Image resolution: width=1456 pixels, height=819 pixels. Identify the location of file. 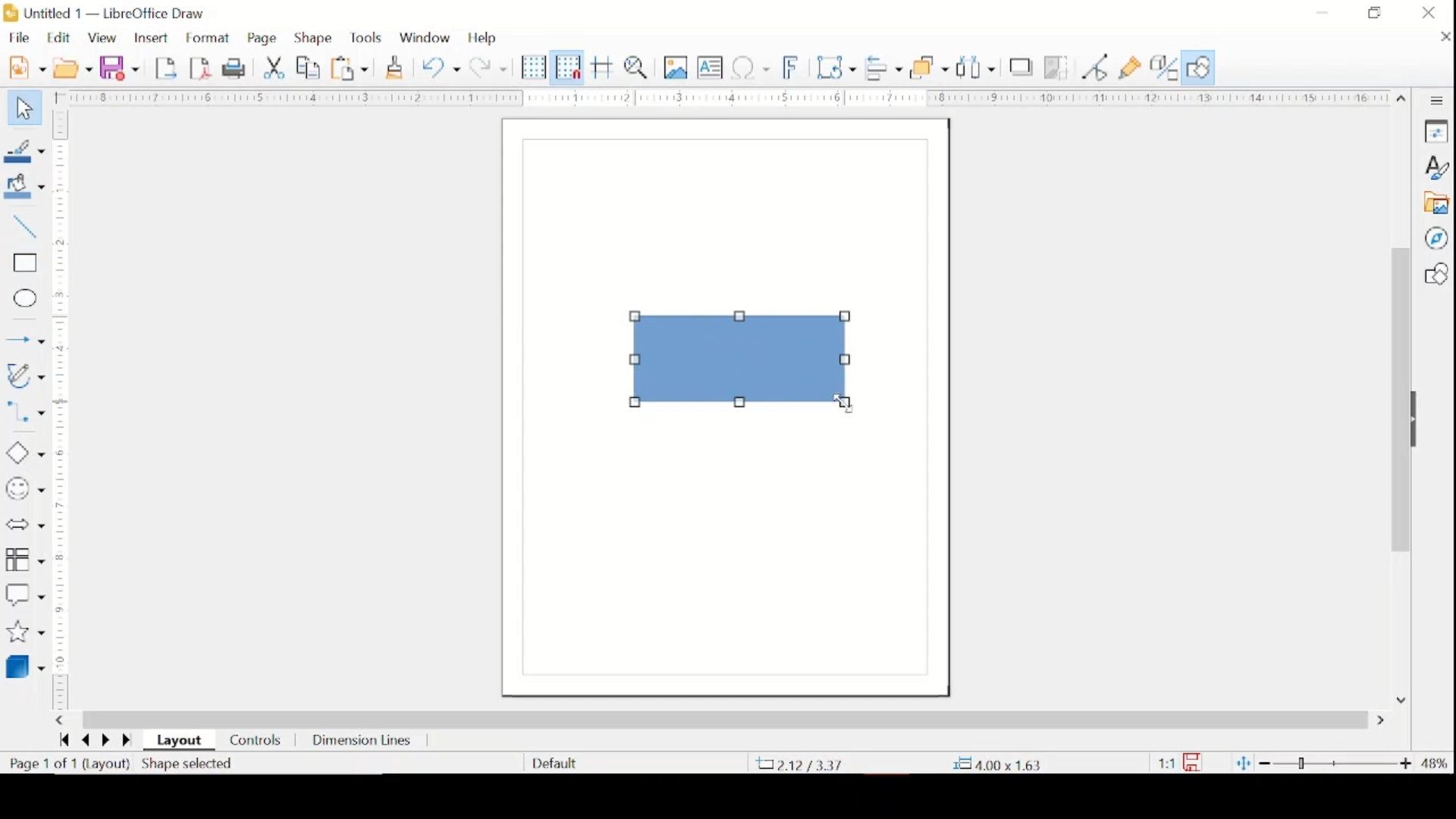
(19, 37).